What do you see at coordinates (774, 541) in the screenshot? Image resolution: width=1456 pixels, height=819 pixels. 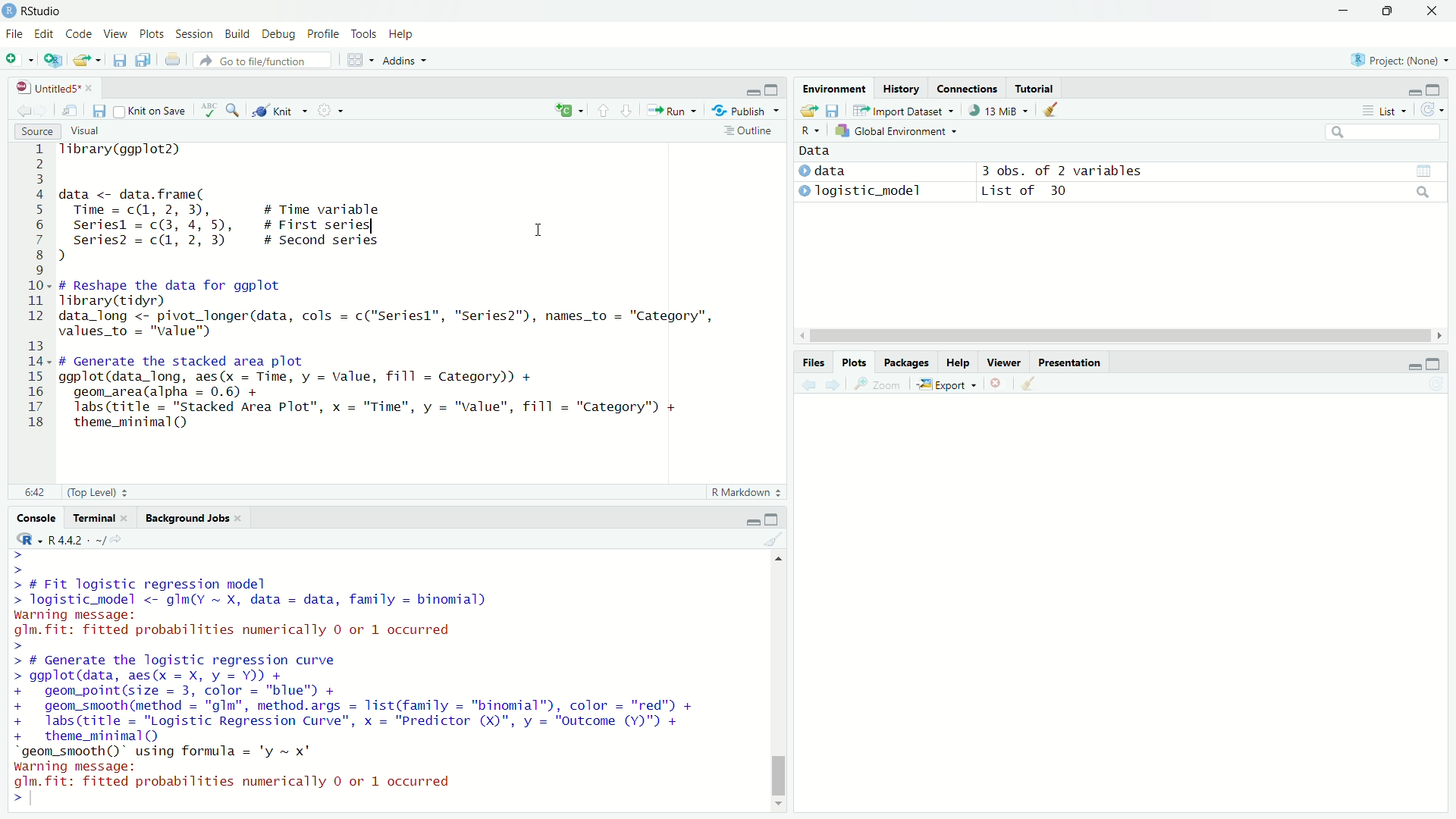 I see `clear` at bounding box center [774, 541].